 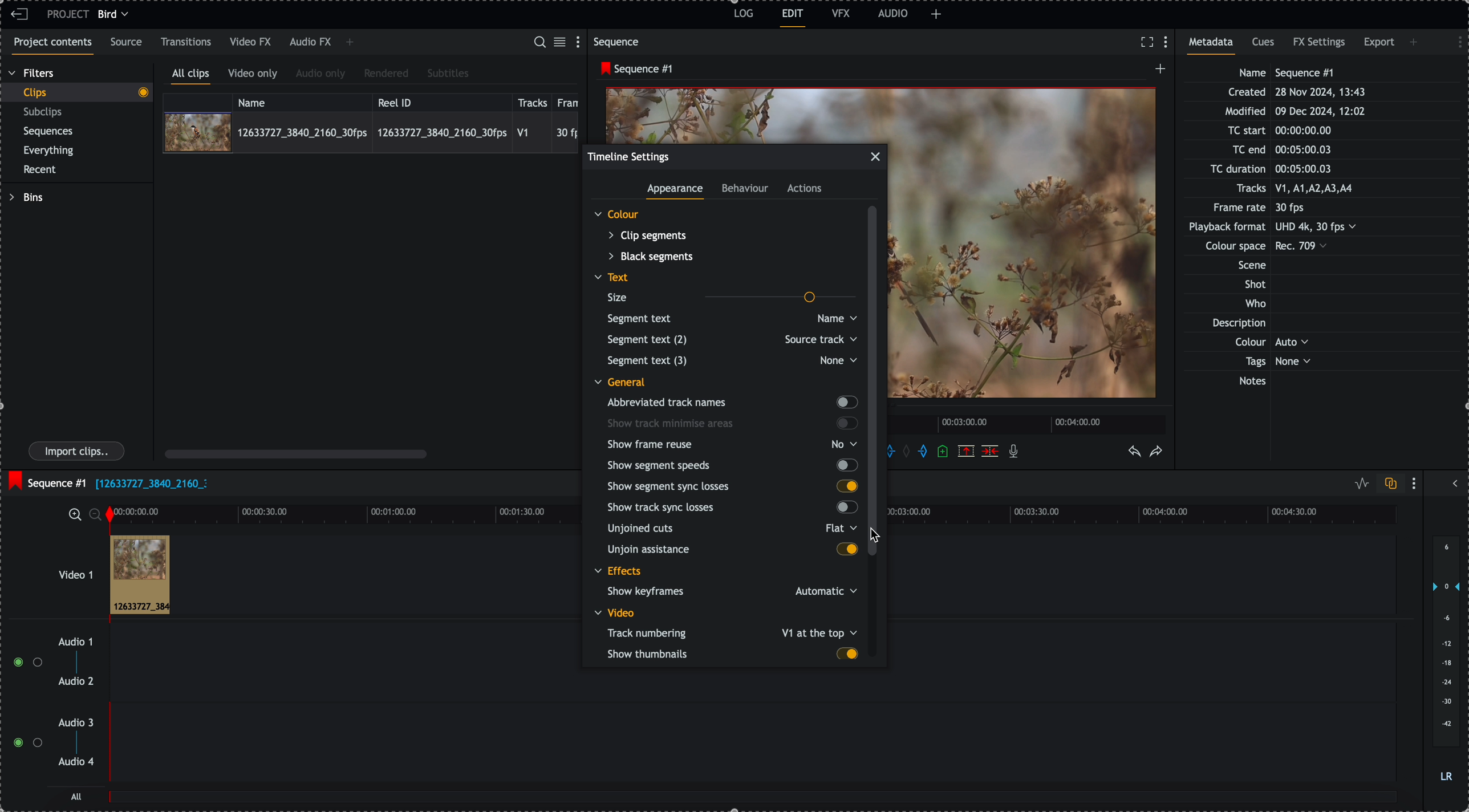 I want to click on toggle auto track sync, so click(x=1388, y=484).